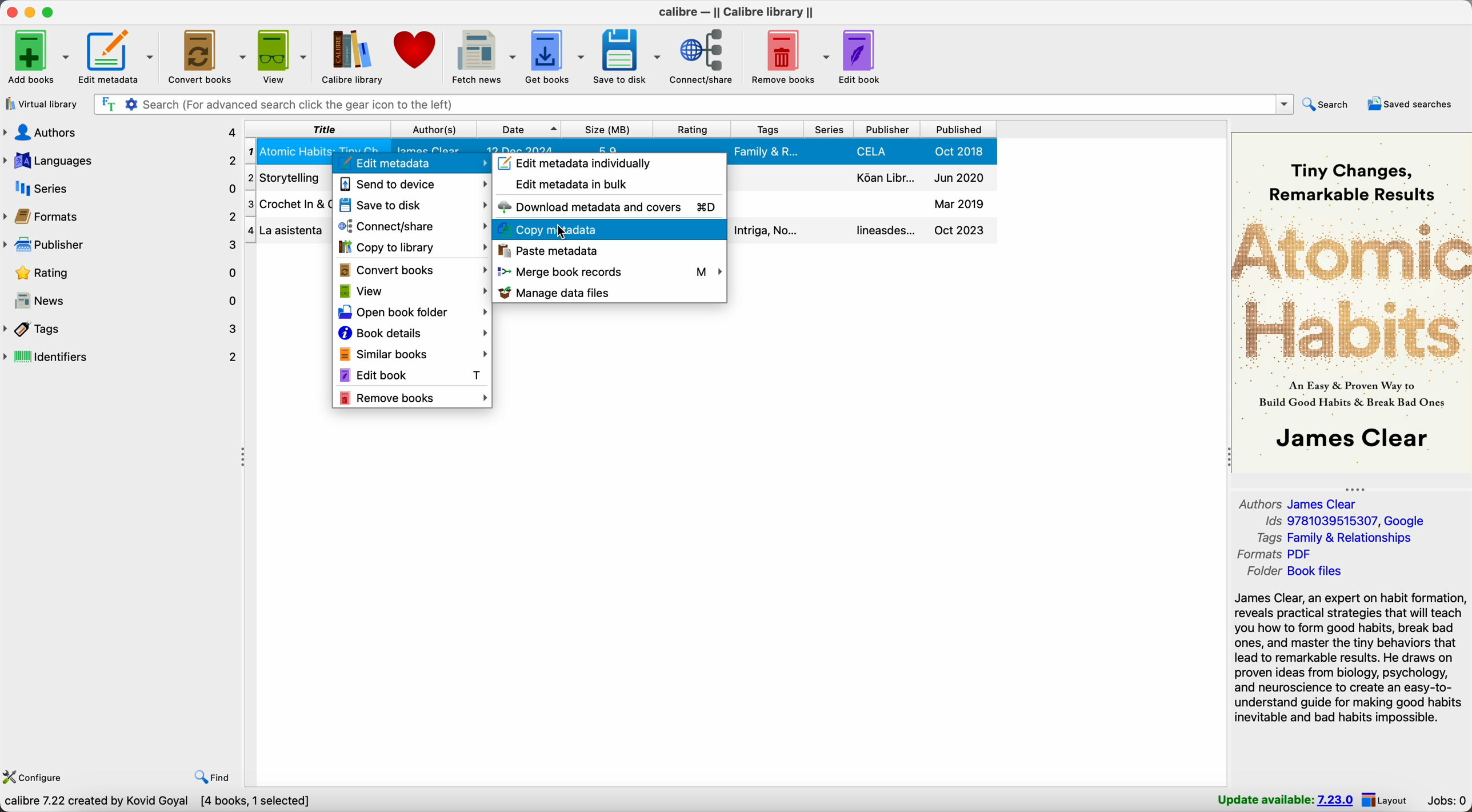 The image size is (1472, 812). Describe the element at coordinates (436, 129) in the screenshot. I see `author(s)` at that location.